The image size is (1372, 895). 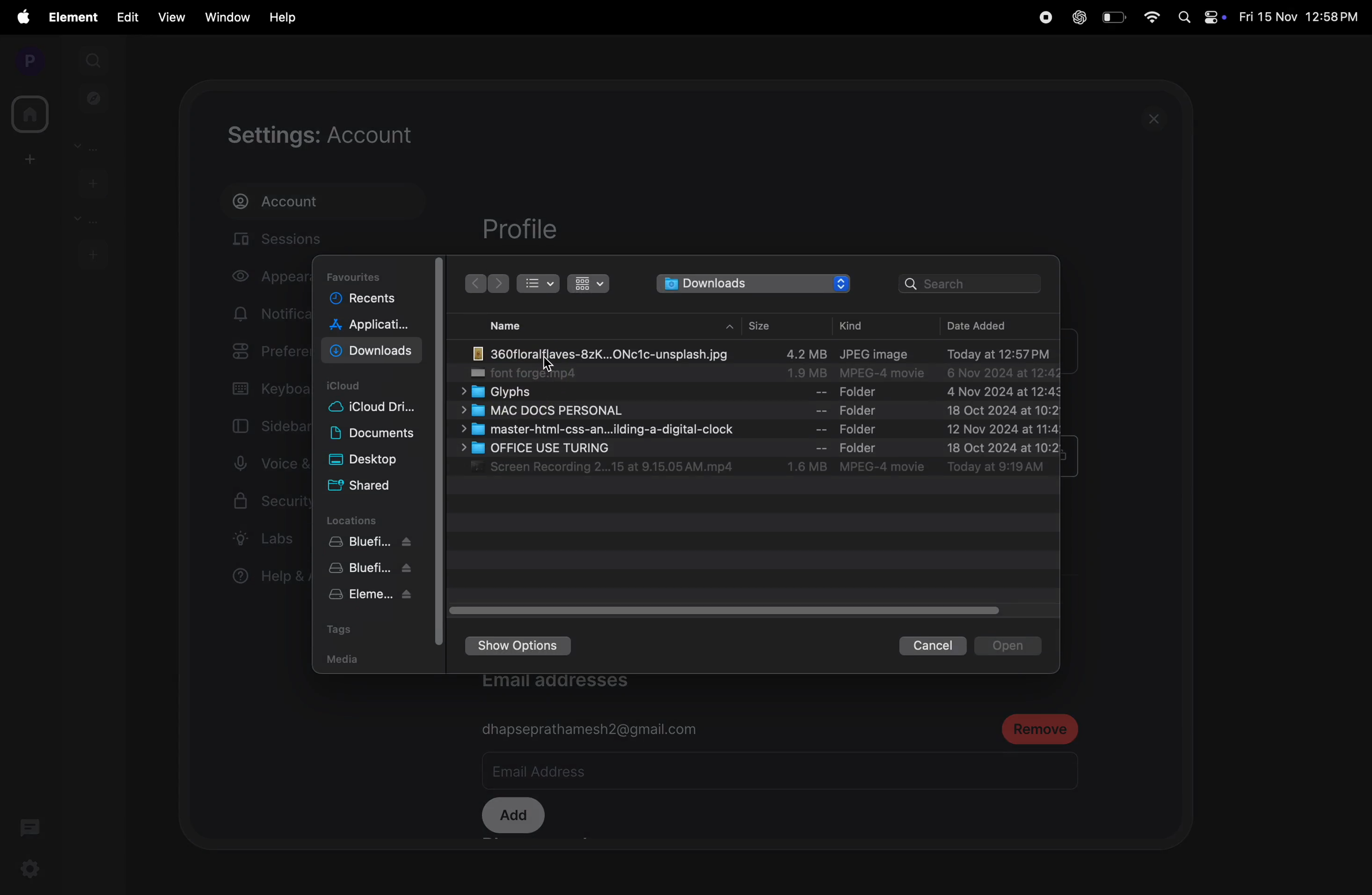 I want to click on date, so click(x=983, y=325).